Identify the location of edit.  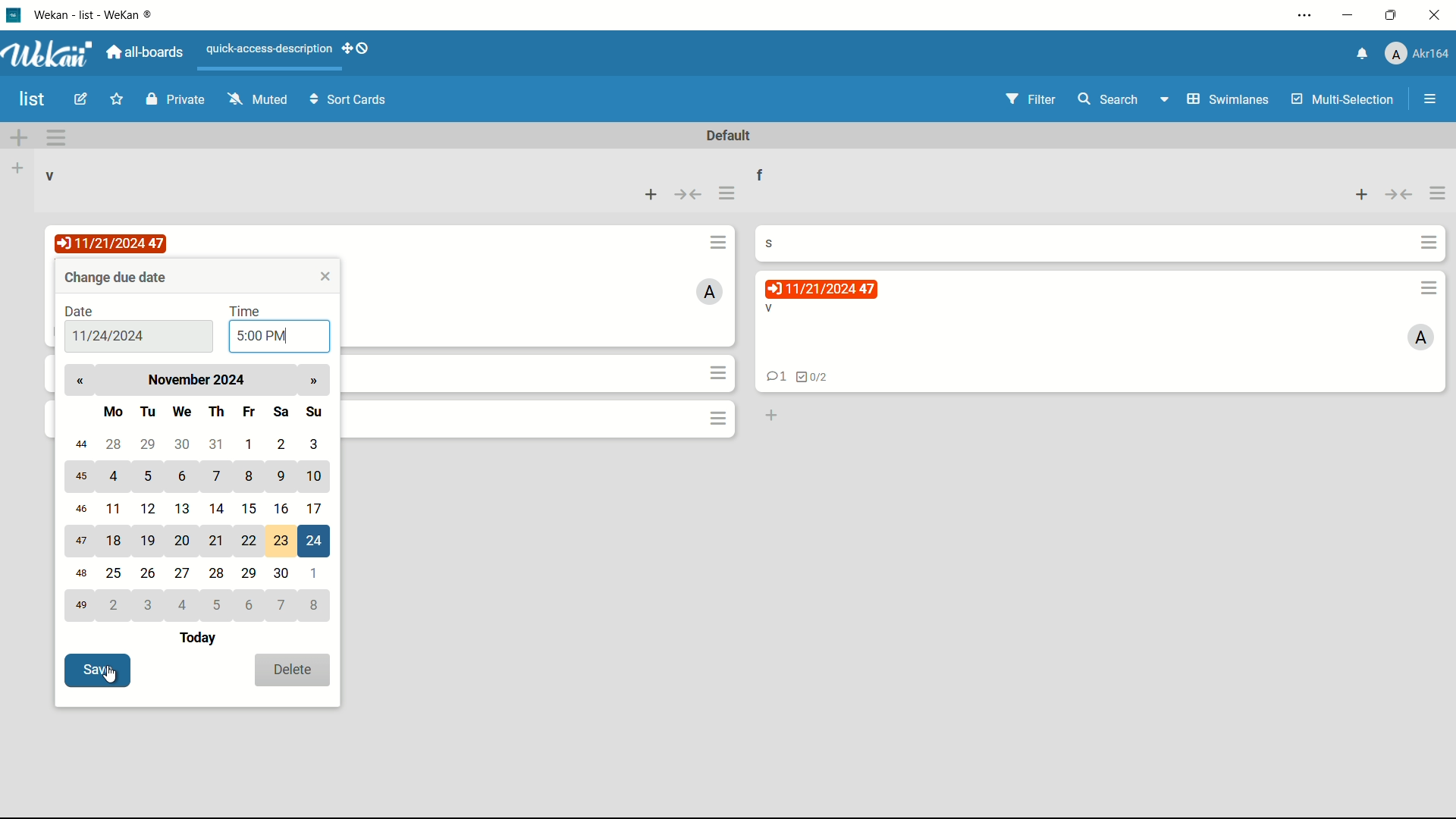
(83, 101).